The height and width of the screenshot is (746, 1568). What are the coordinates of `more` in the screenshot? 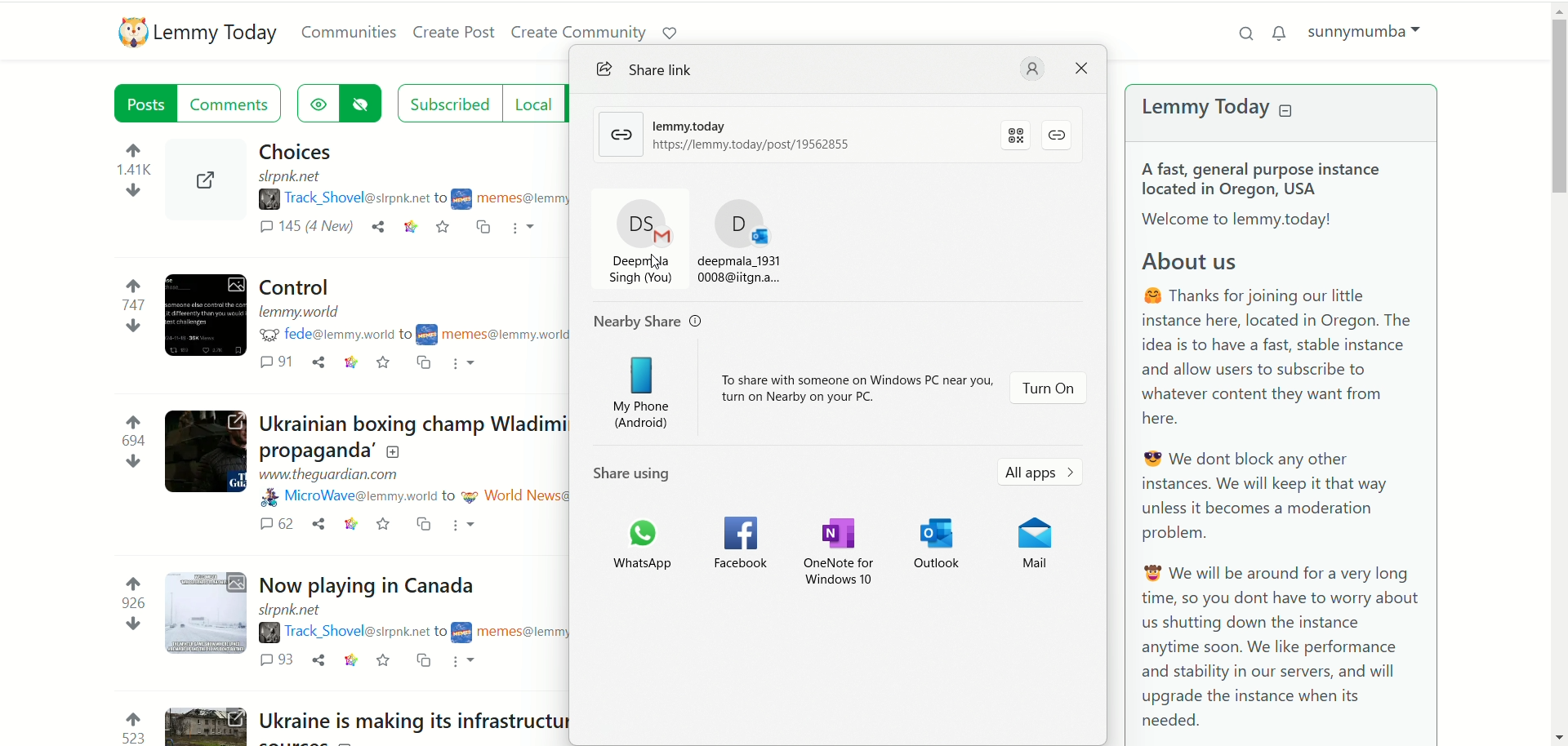 It's located at (469, 363).